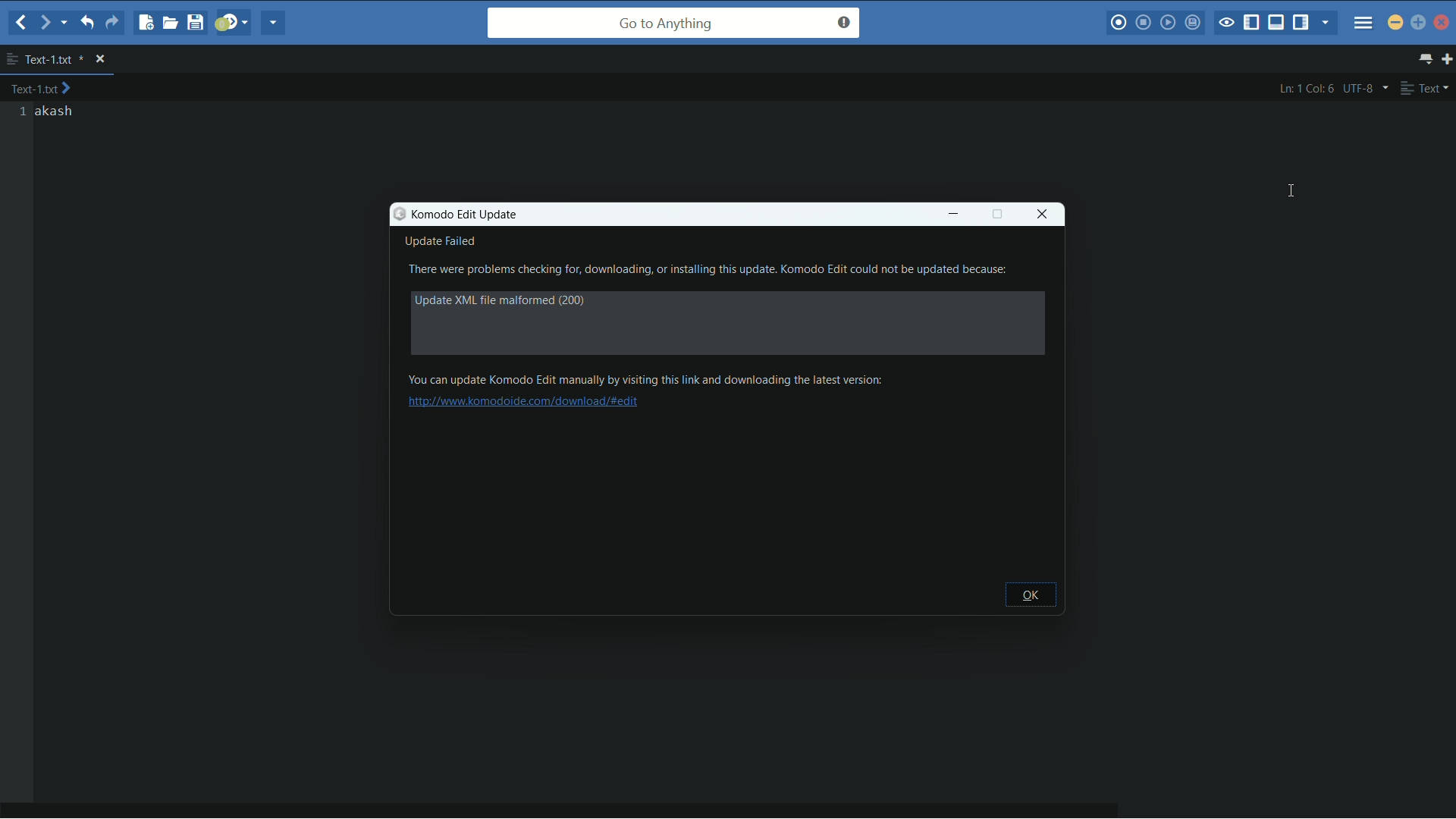 This screenshot has width=1456, height=819. I want to click on text, so click(648, 379).